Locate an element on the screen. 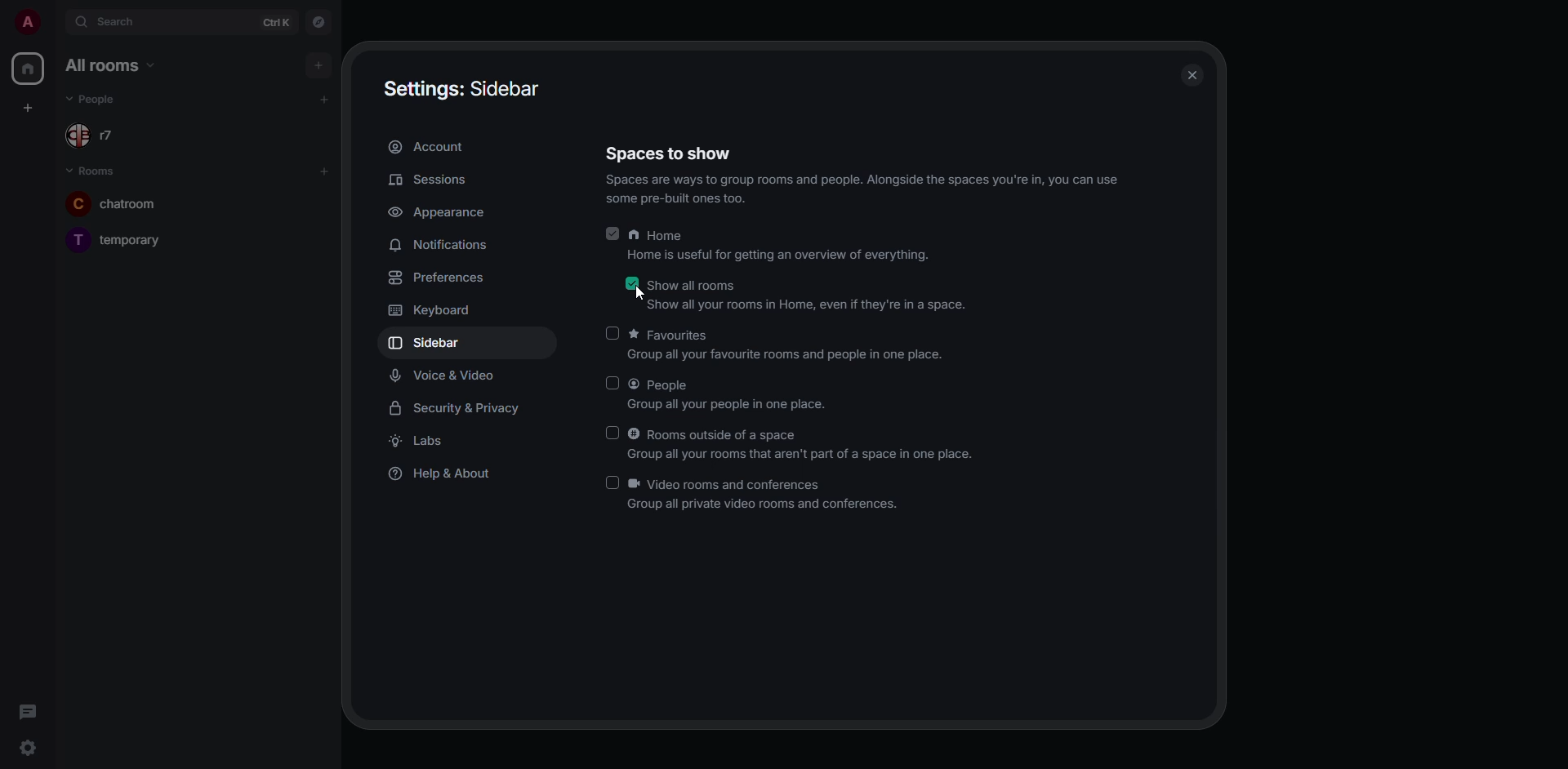 This screenshot has height=769, width=1568. sessions is located at coordinates (434, 180).